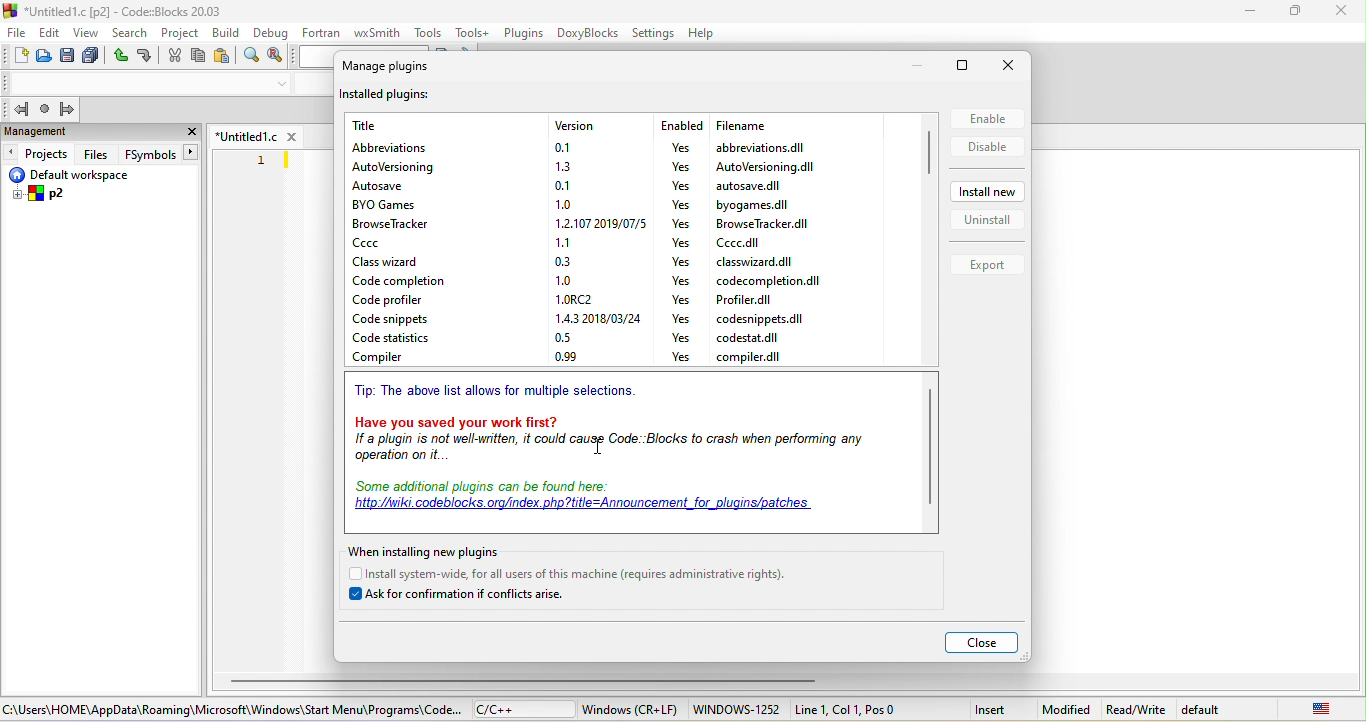 Image resolution: width=1366 pixels, height=722 pixels. I want to click on Yes, so click(680, 168).